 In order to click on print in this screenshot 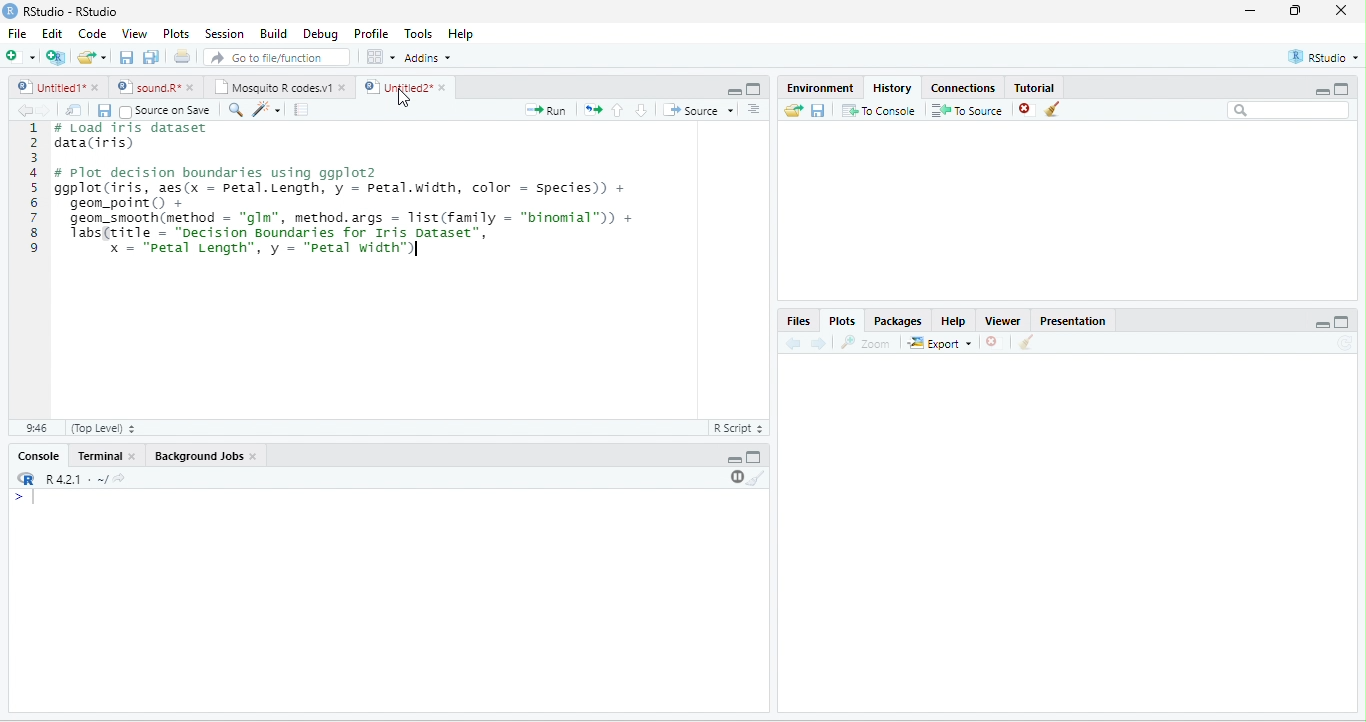, I will do `click(181, 56)`.